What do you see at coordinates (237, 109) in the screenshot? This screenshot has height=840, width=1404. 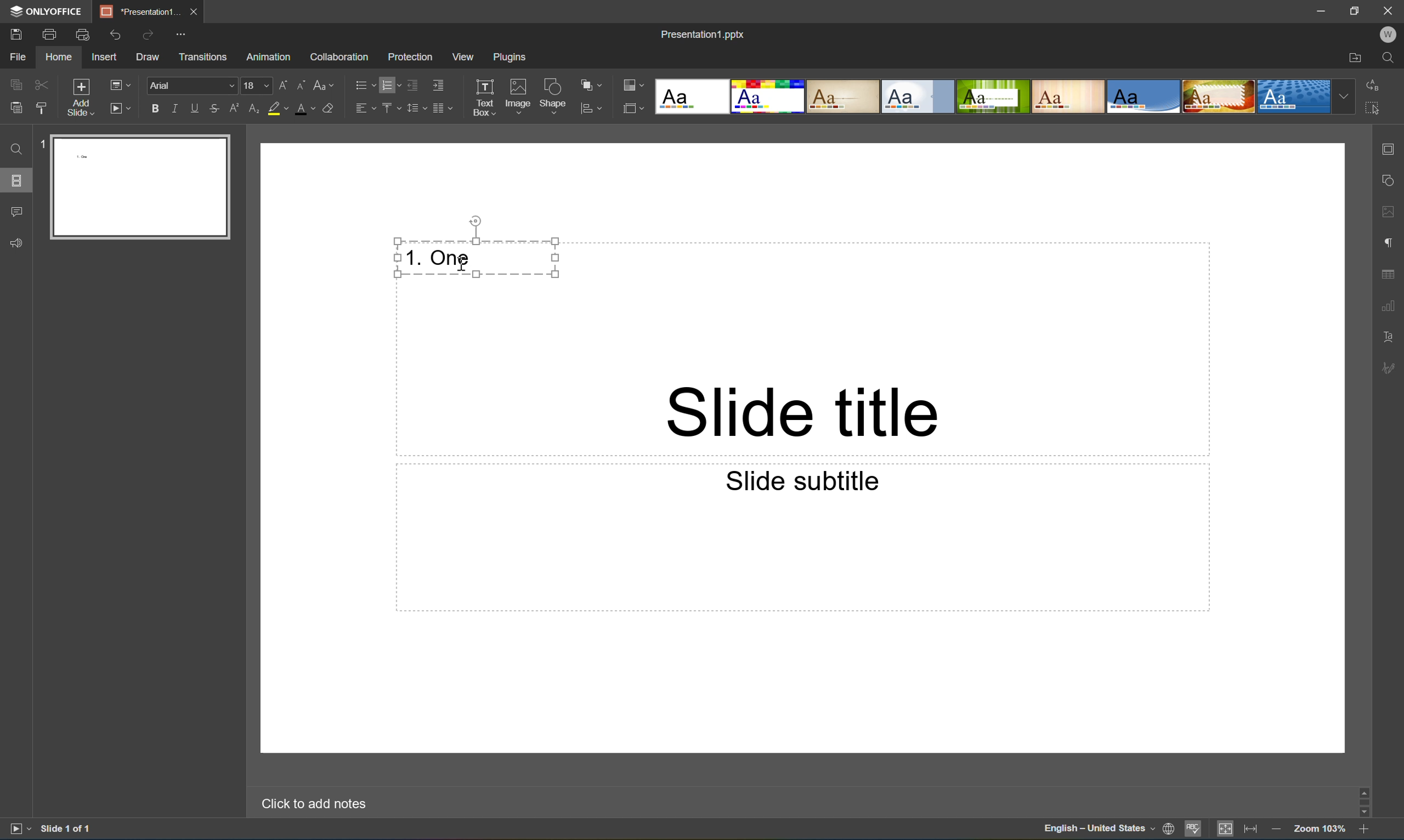 I see `Superscript` at bounding box center [237, 109].